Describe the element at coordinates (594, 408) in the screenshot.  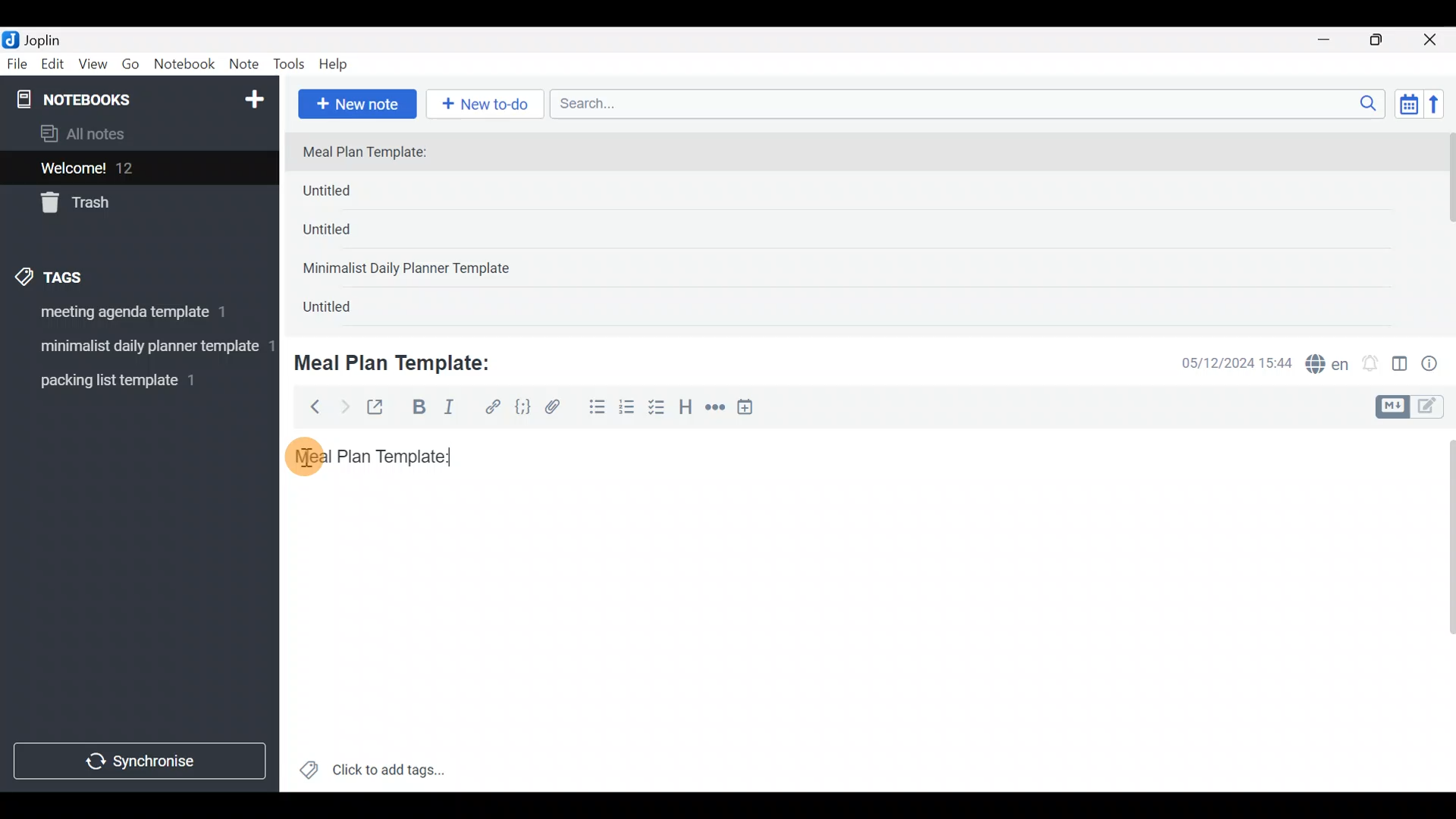
I see `Bulleted list` at that location.